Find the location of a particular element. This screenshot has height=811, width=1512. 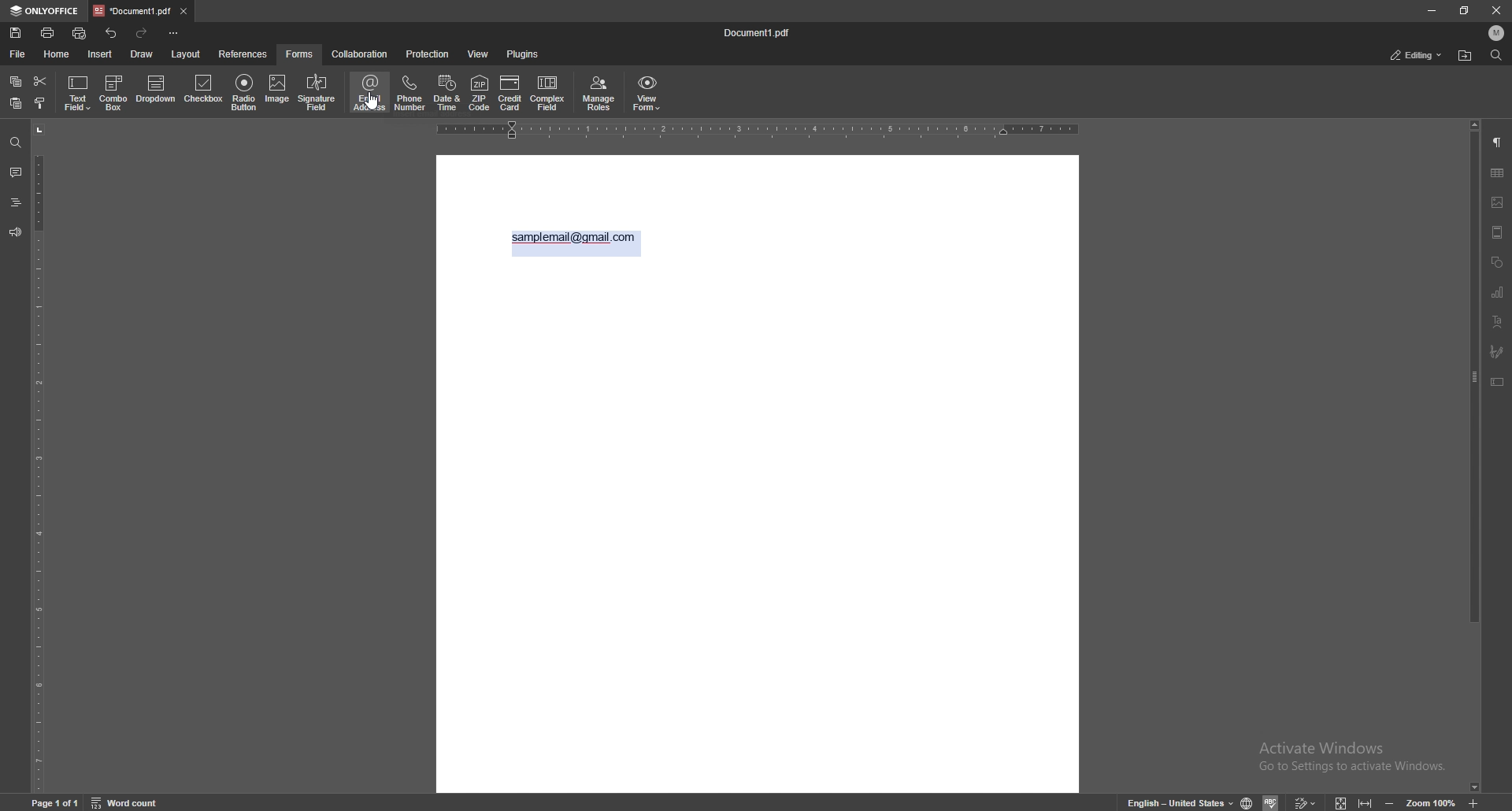

zip code is located at coordinates (480, 94).